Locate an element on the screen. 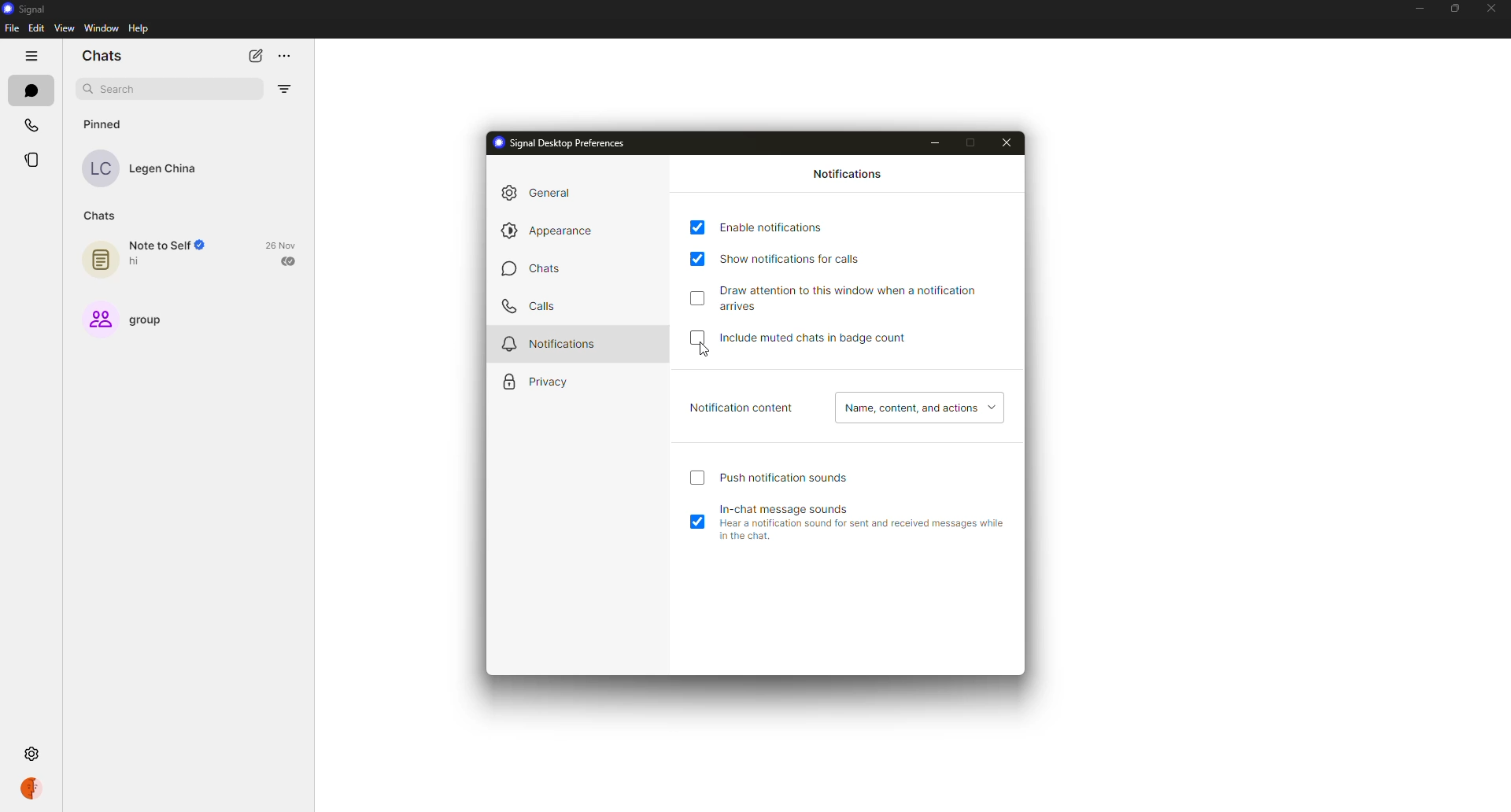  enabled is located at coordinates (699, 227).